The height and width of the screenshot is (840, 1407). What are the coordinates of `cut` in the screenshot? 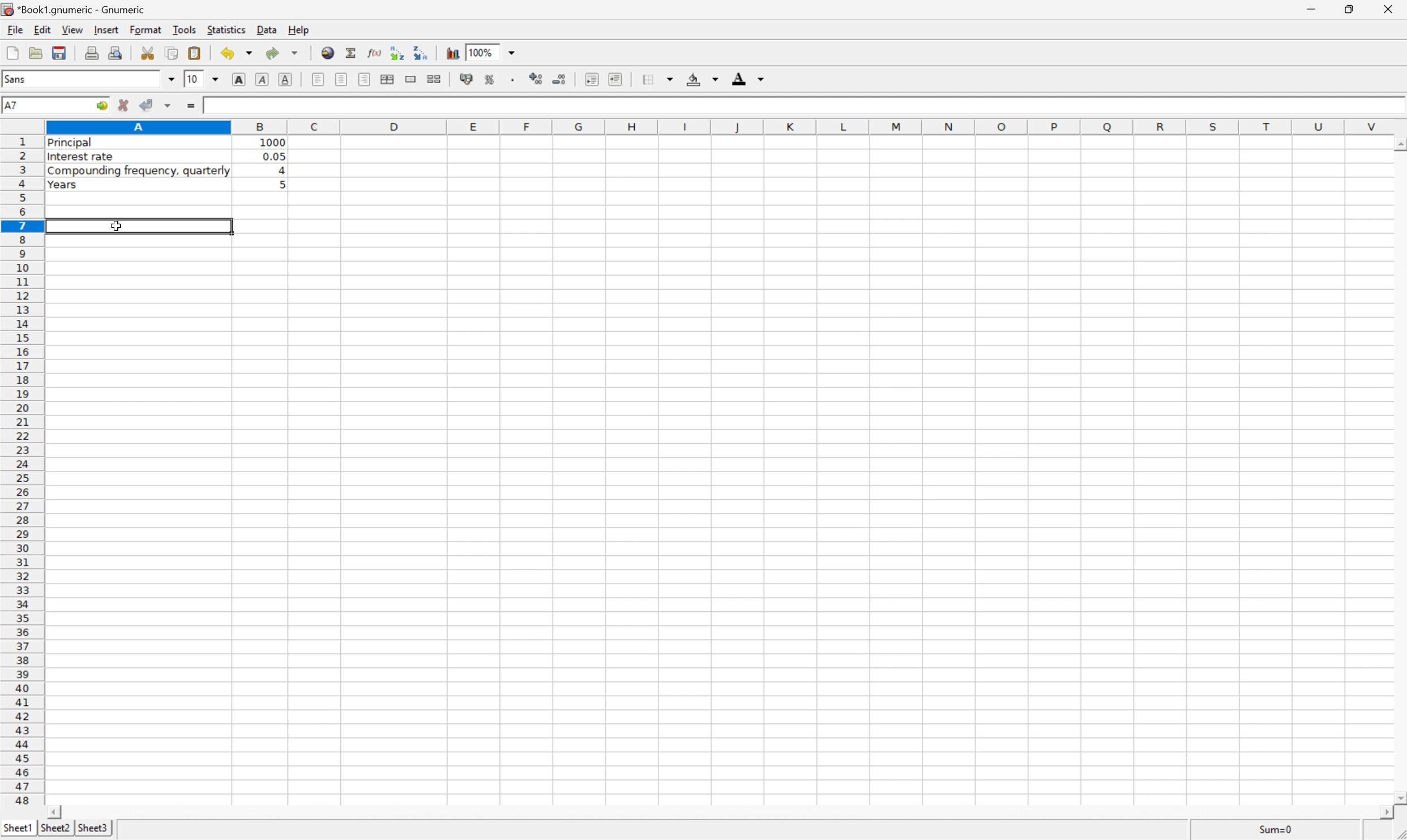 It's located at (147, 53).